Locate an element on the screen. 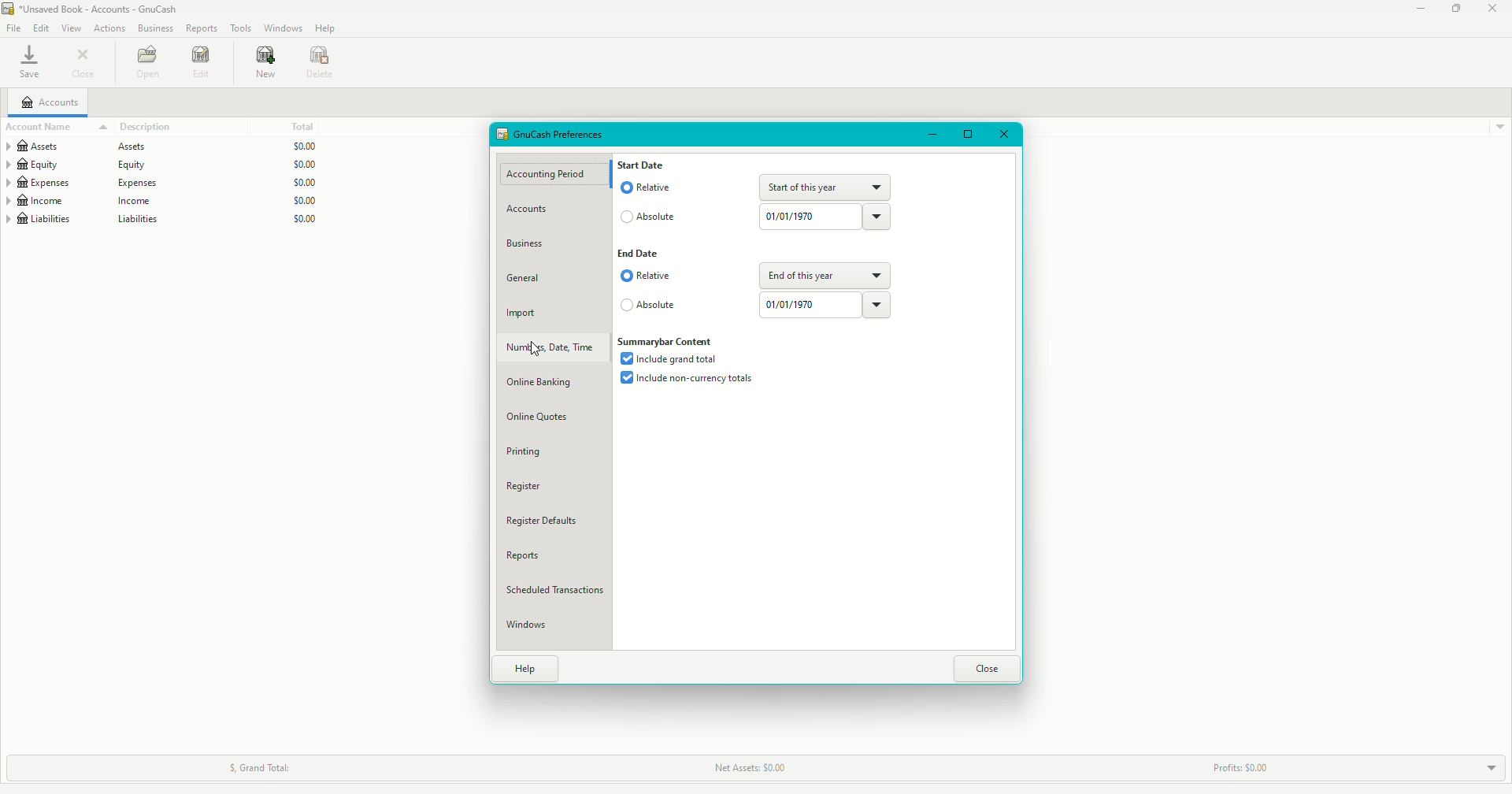 The width and height of the screenshot is (1512, 794). Close is located at coordinates (82, 65).